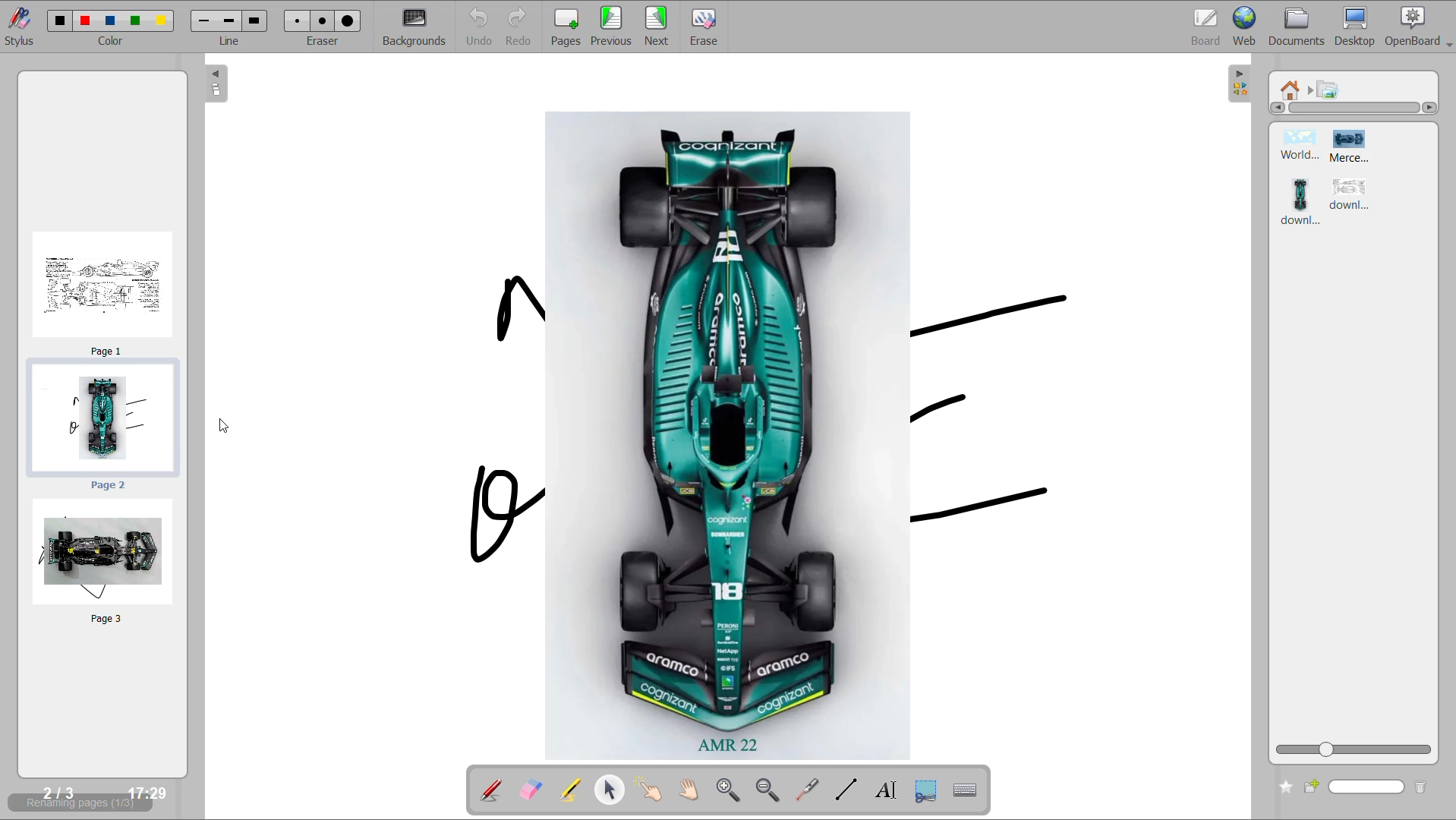  What do you see at coordinates (1295, 89) in the screenshot?
I see `root` at bounding box center [1295, 89].